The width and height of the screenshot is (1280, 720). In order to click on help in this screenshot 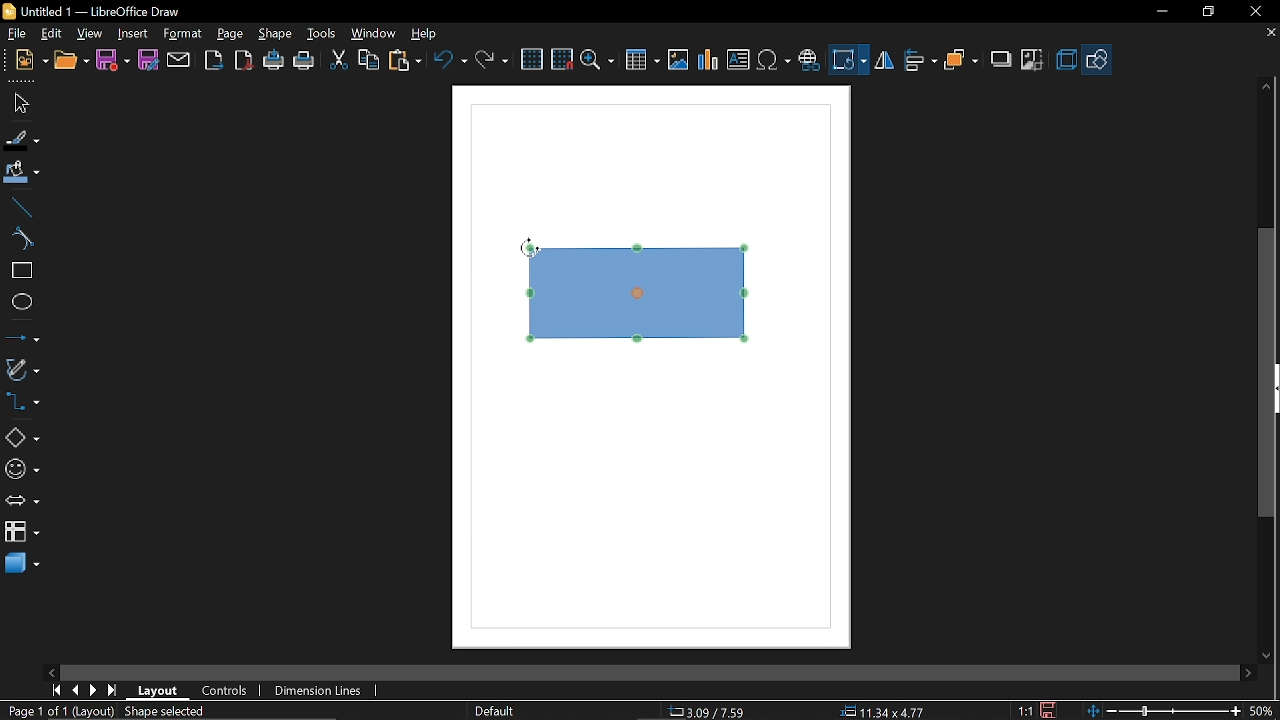, I will do `click(424, 35)`.